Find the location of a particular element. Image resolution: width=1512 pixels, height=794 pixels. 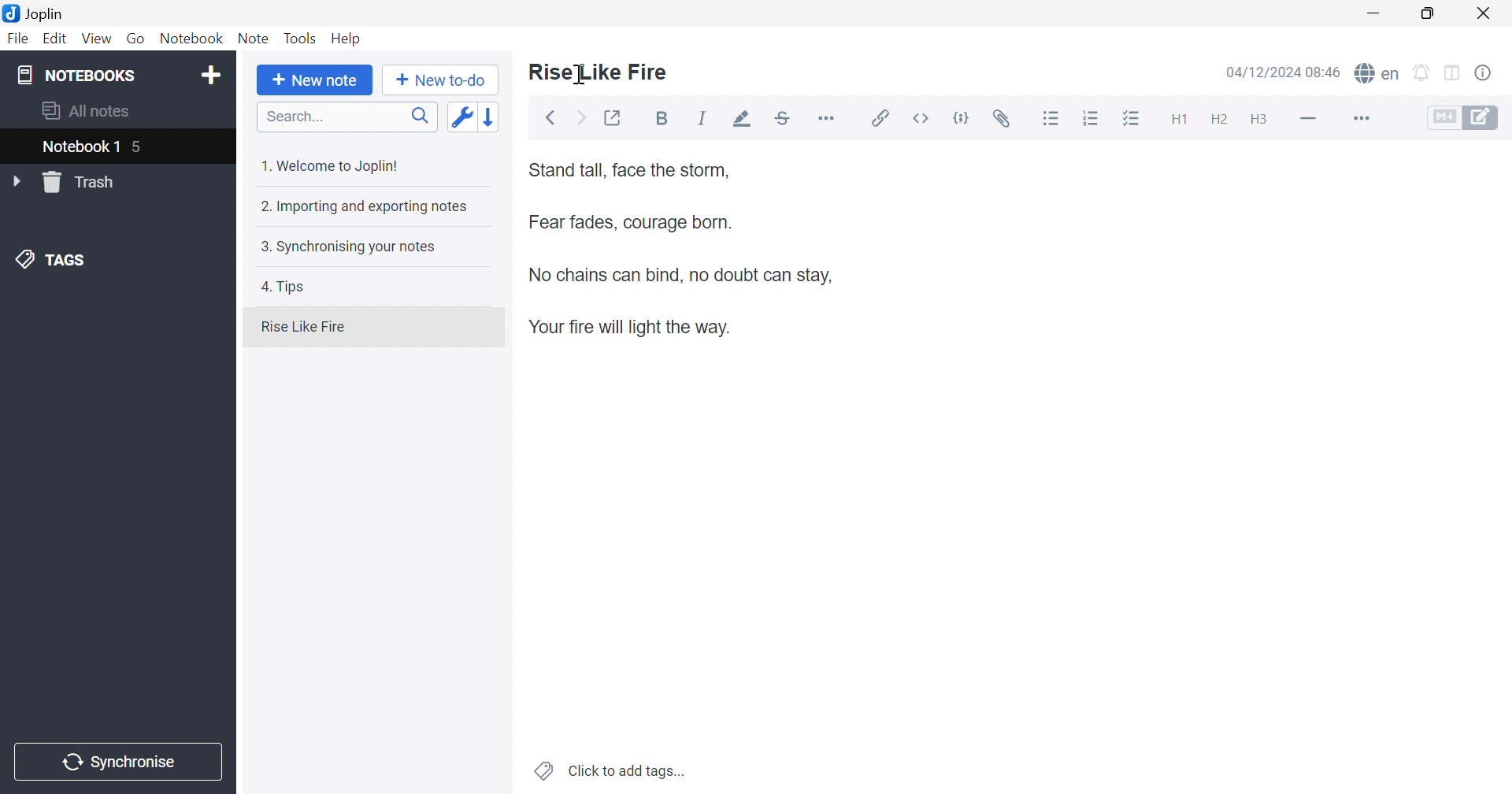

Highlight is located at coordinates (739, 117).